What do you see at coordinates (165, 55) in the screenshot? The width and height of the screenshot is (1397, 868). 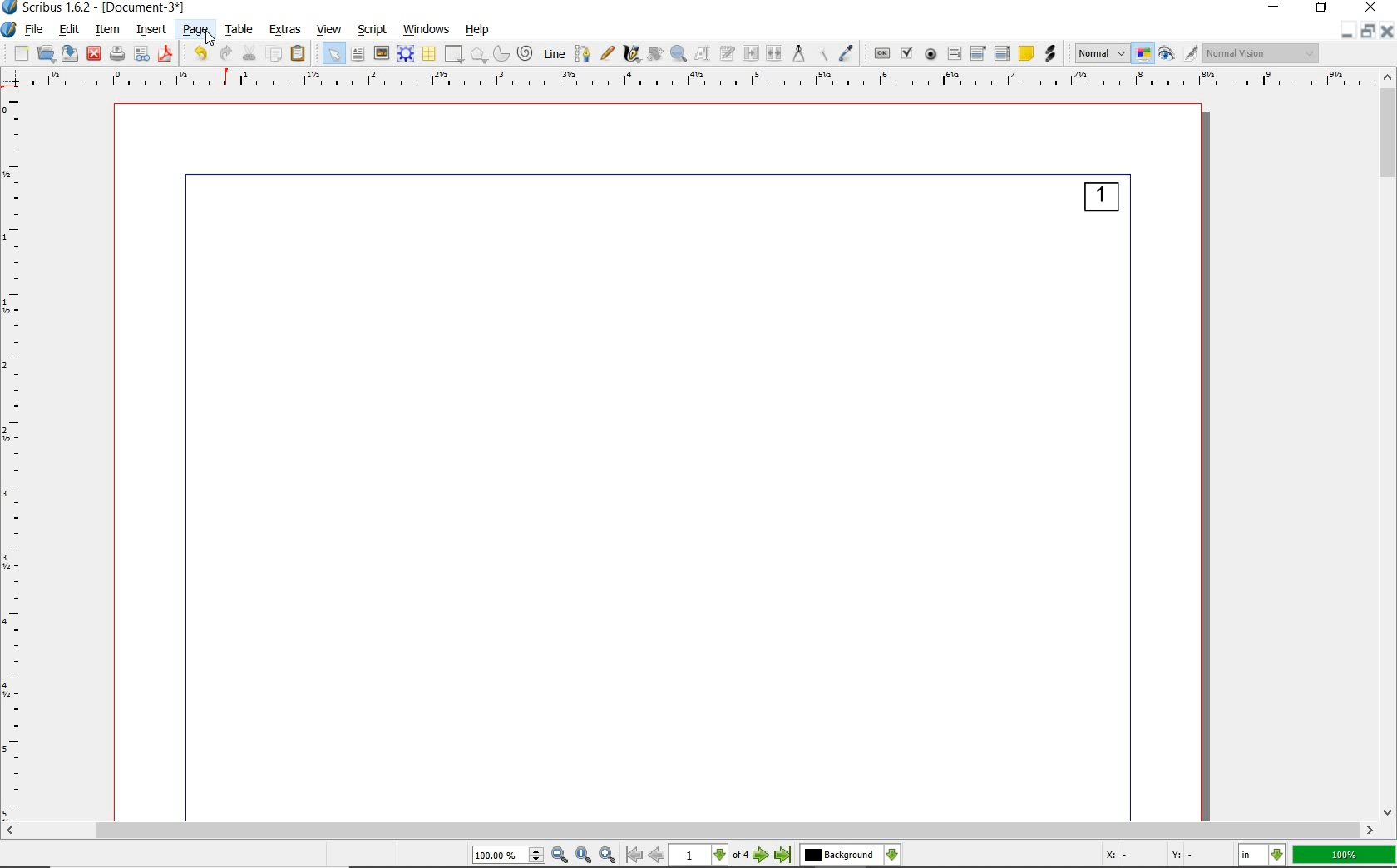 I see `save as pdf` at bounding box center [165, 55].